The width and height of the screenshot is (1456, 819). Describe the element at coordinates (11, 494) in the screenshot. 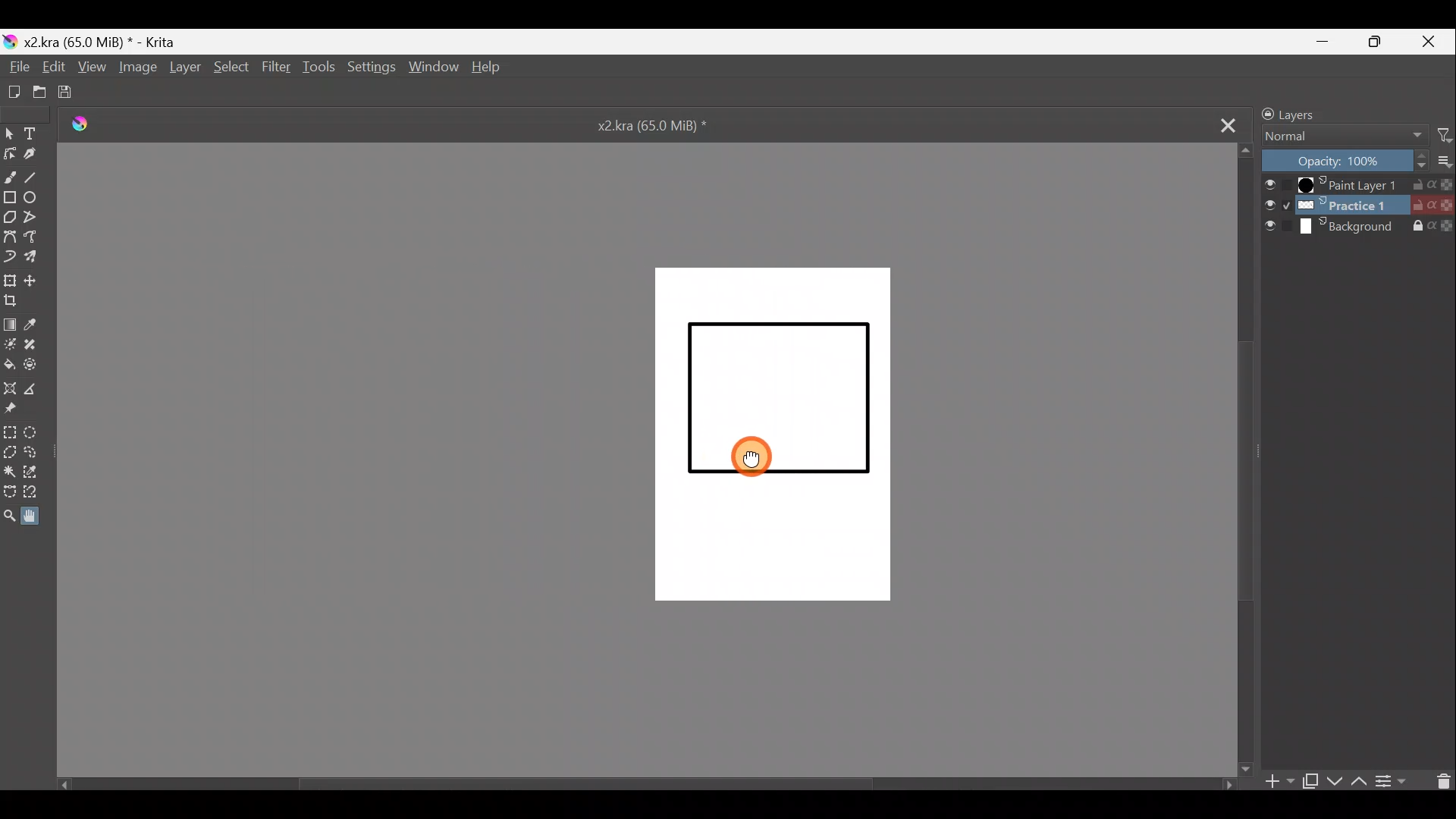

I see `Bezier curve selection tool` at that location.